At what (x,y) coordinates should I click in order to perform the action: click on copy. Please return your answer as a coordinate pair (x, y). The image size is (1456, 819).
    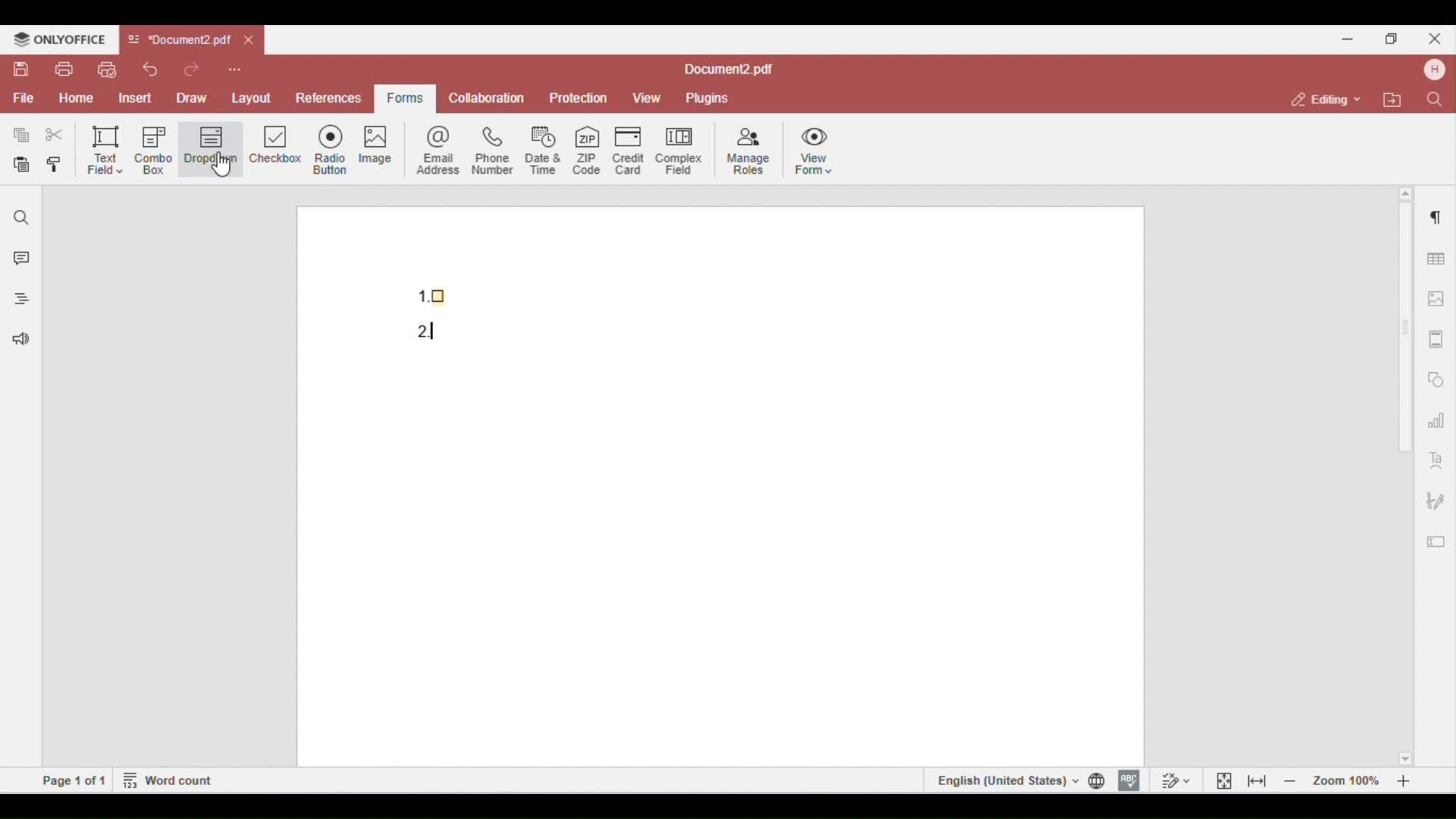
    Looking at the image, I should click on (22, 135).